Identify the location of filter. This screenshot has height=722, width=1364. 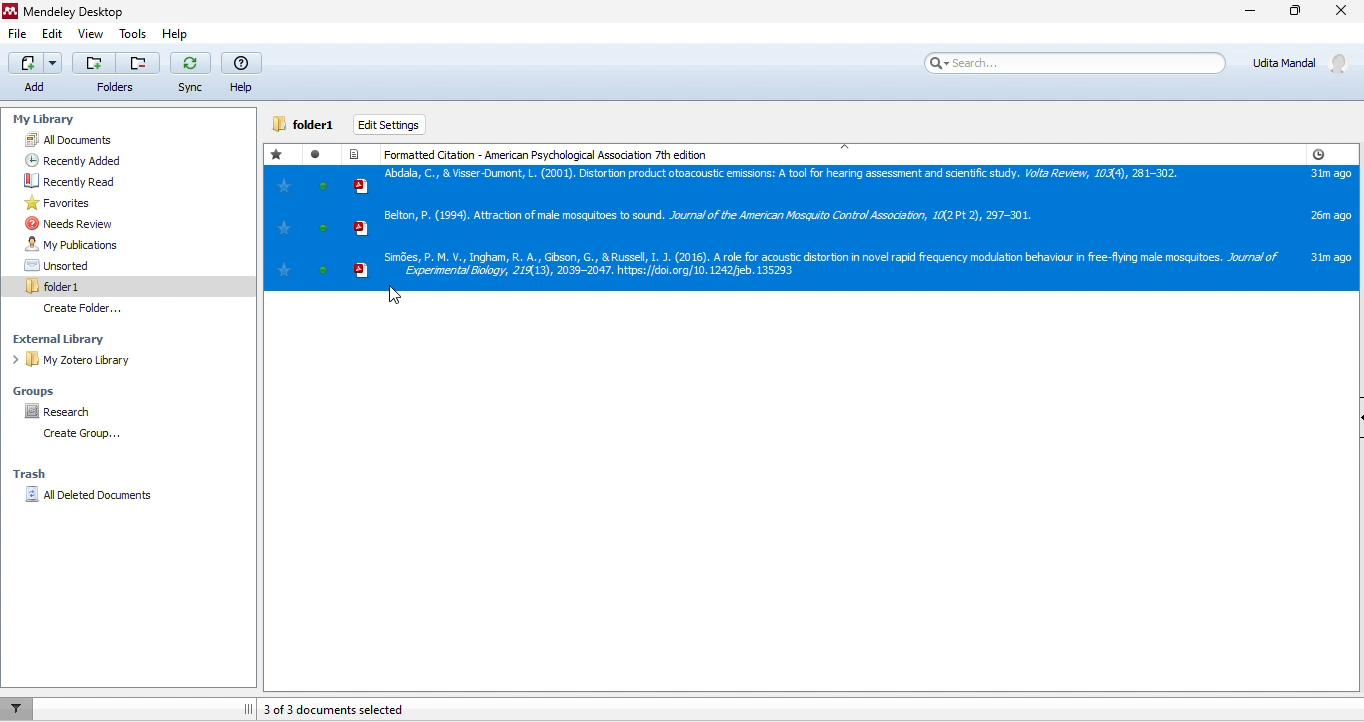
(25, 708).